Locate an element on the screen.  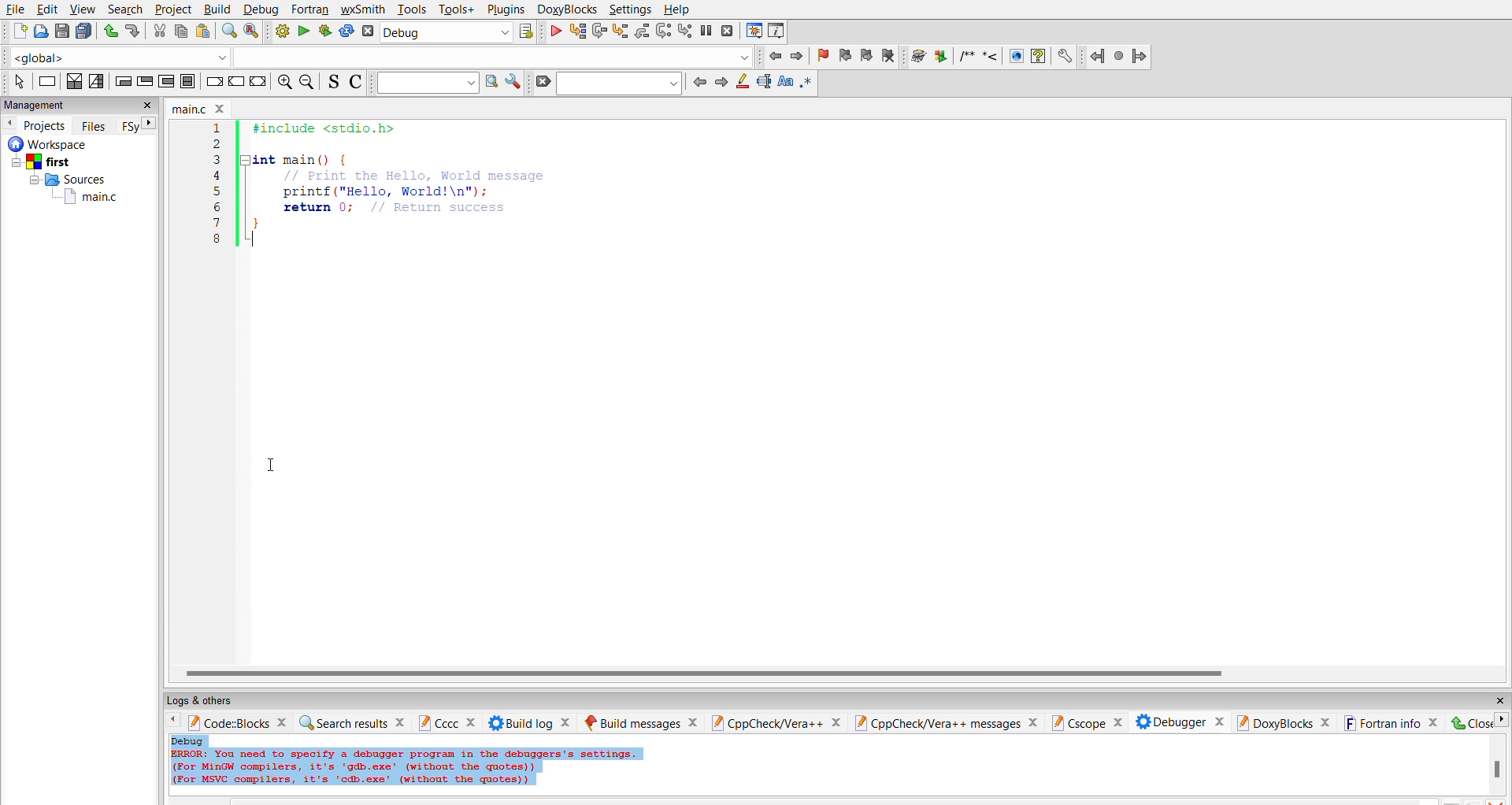
paste is located at coordinates (205, 32).